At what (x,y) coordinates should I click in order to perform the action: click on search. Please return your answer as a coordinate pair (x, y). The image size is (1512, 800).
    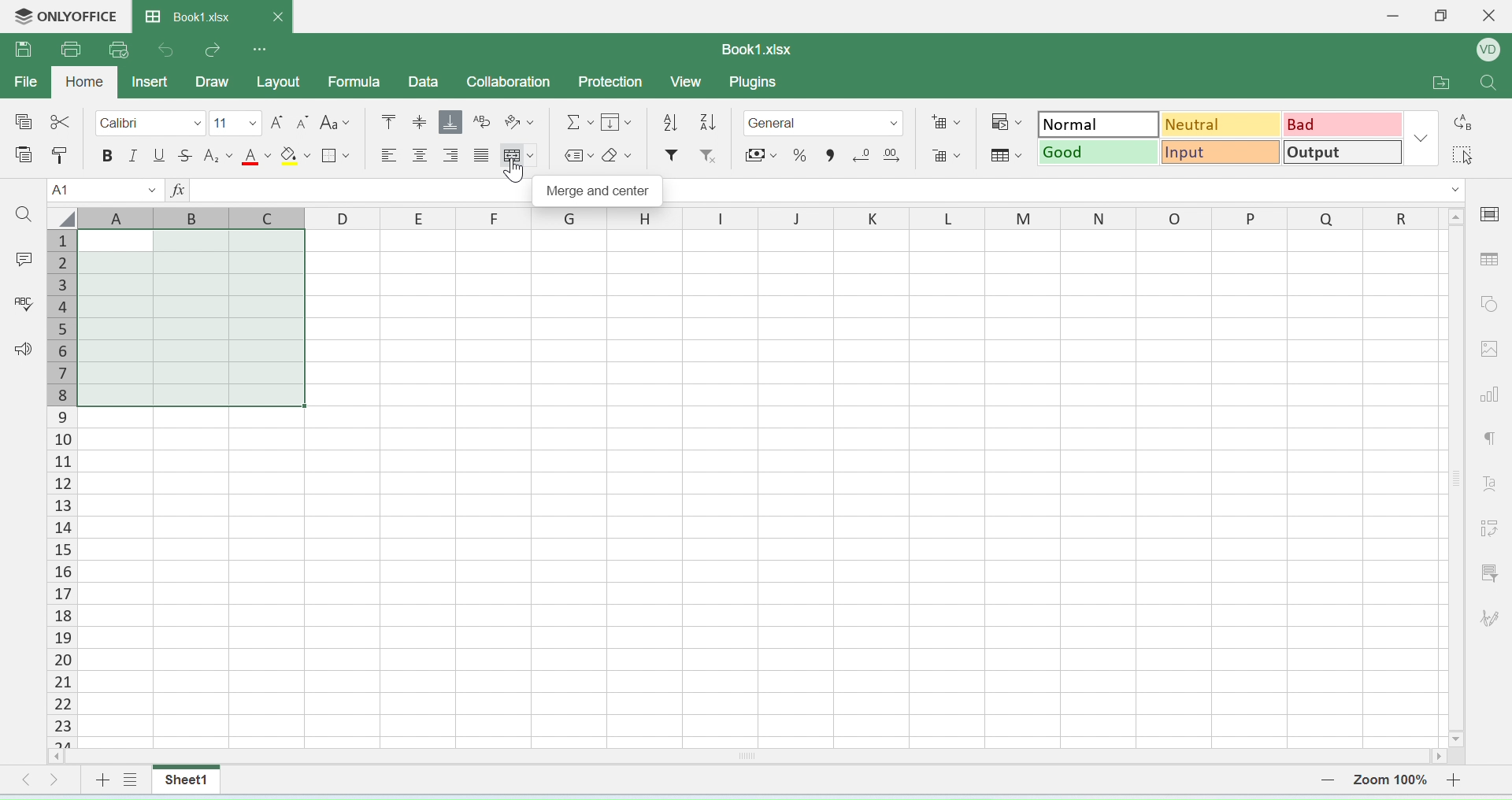
    Looking at the image, I should click on (24, 216).